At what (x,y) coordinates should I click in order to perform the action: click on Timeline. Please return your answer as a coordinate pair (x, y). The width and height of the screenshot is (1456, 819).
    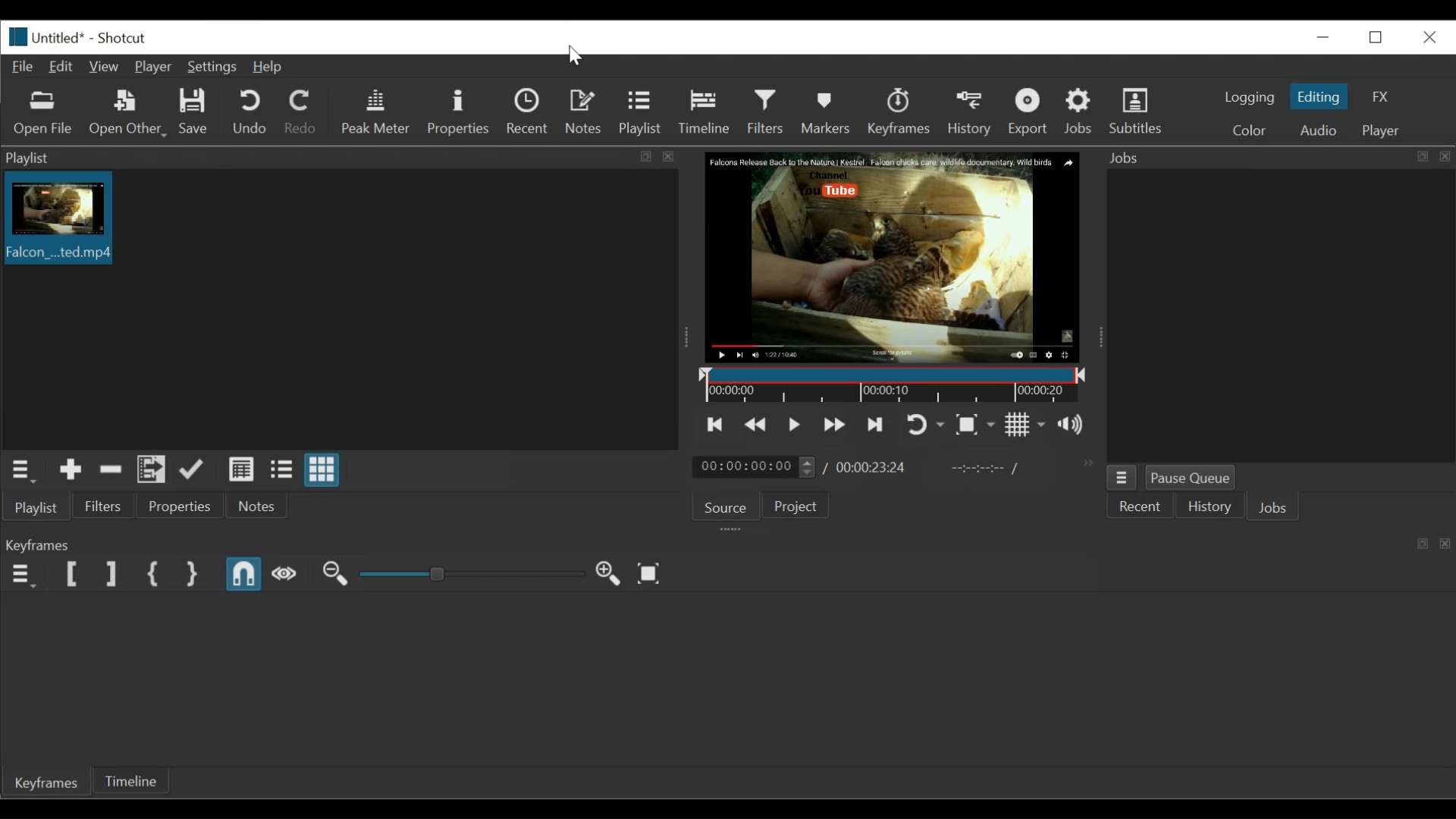
    Looking at the image, I should click on (131, 781).